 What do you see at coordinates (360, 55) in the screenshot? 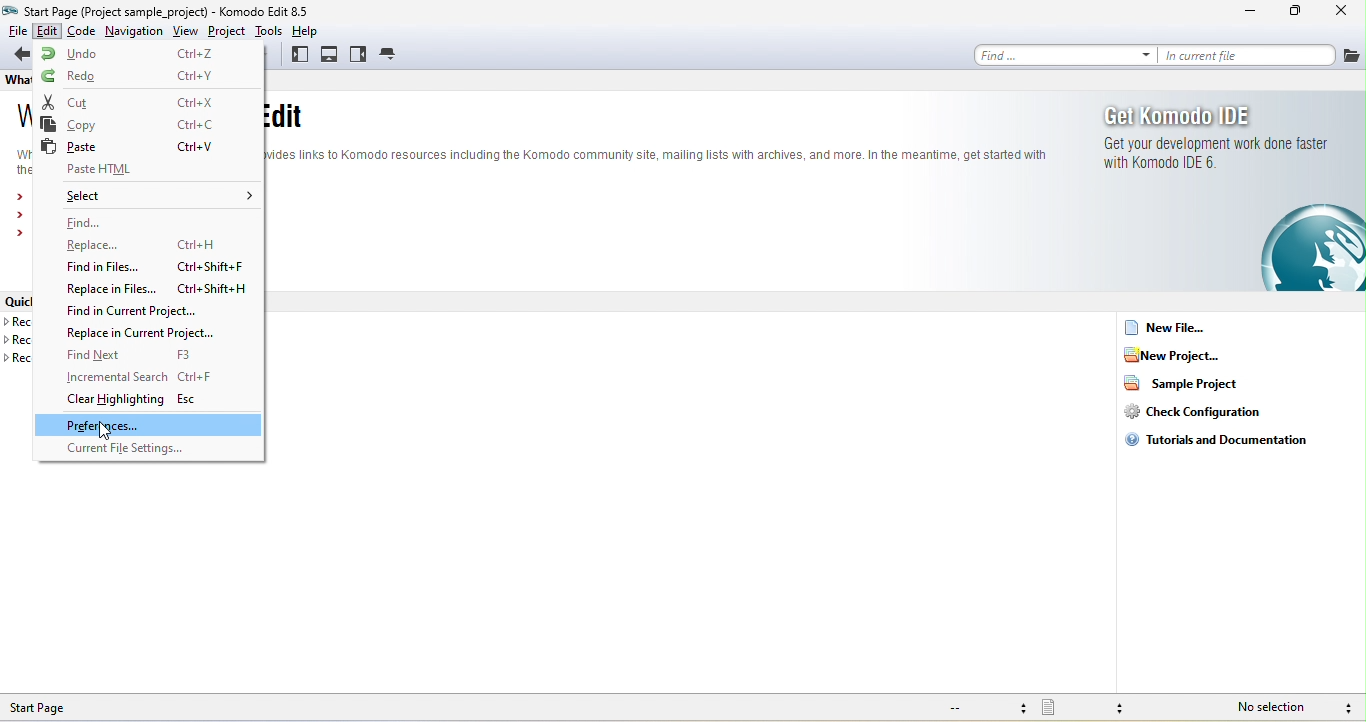
I see `right pane` at bounding box center [360, 55].